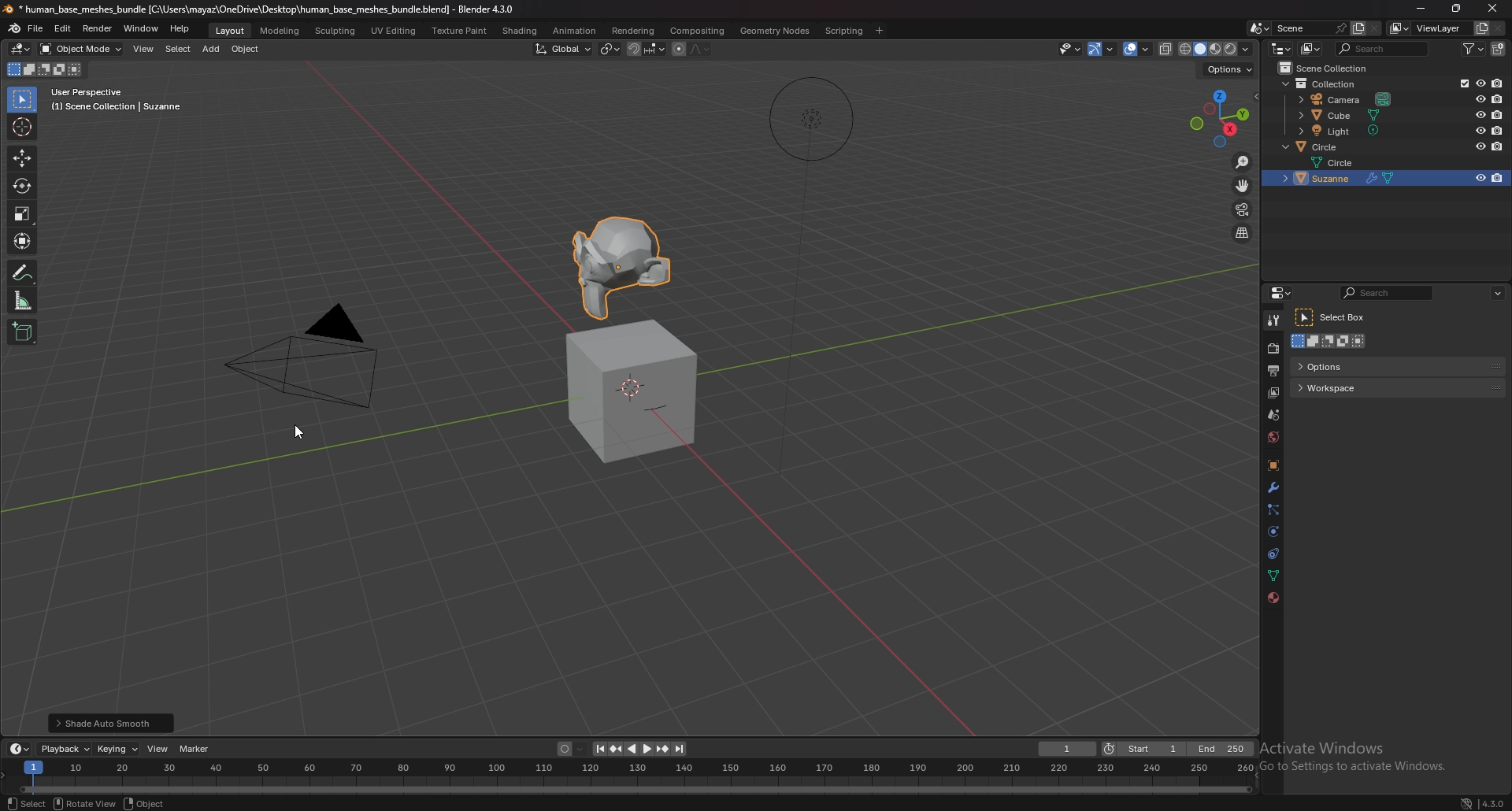 This screenshot has height=811, width=1512. I want to click on start, so click(1144, 748).